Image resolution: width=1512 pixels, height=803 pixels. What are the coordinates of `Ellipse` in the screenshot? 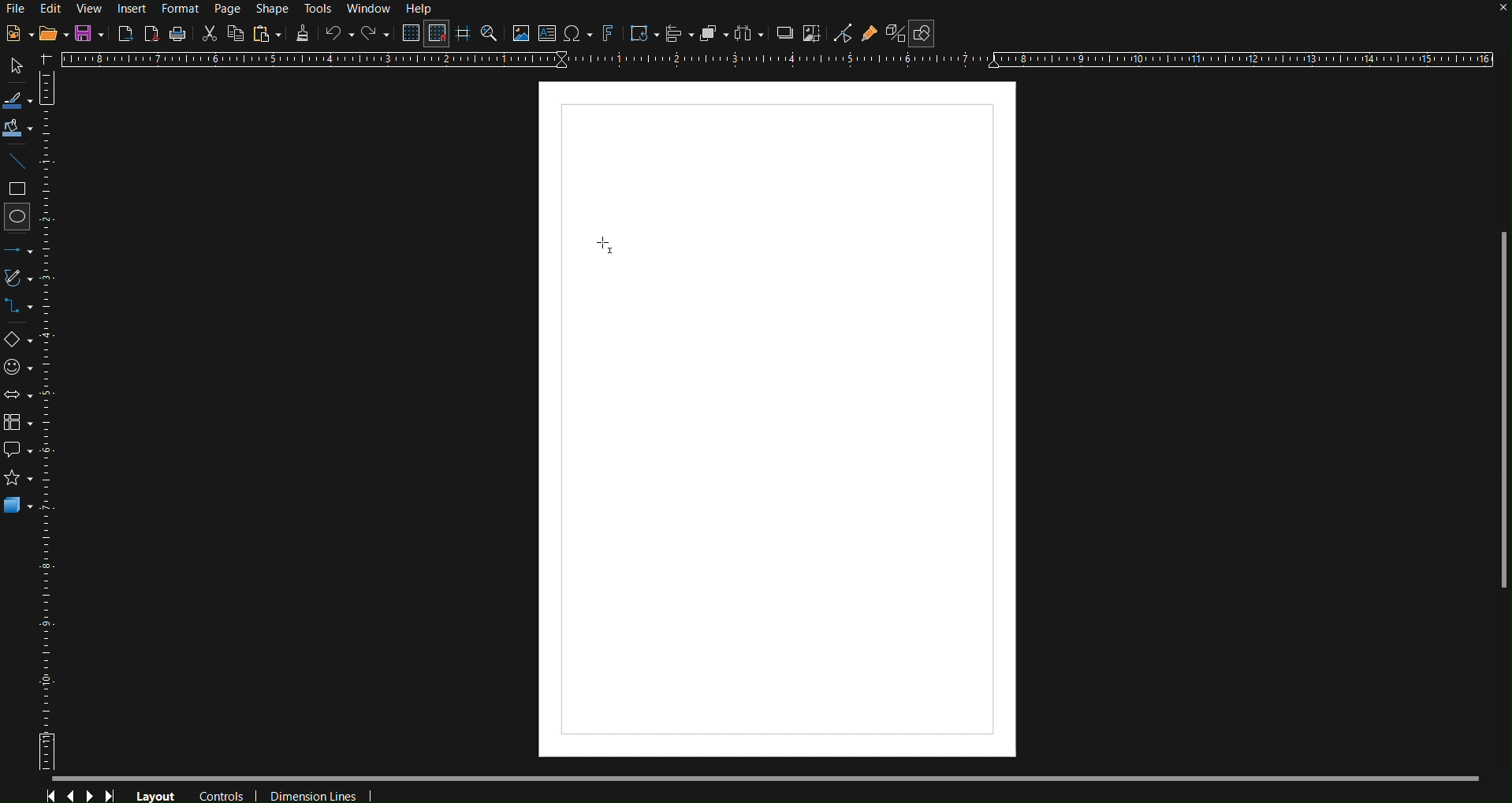 It's located at (20, 216).